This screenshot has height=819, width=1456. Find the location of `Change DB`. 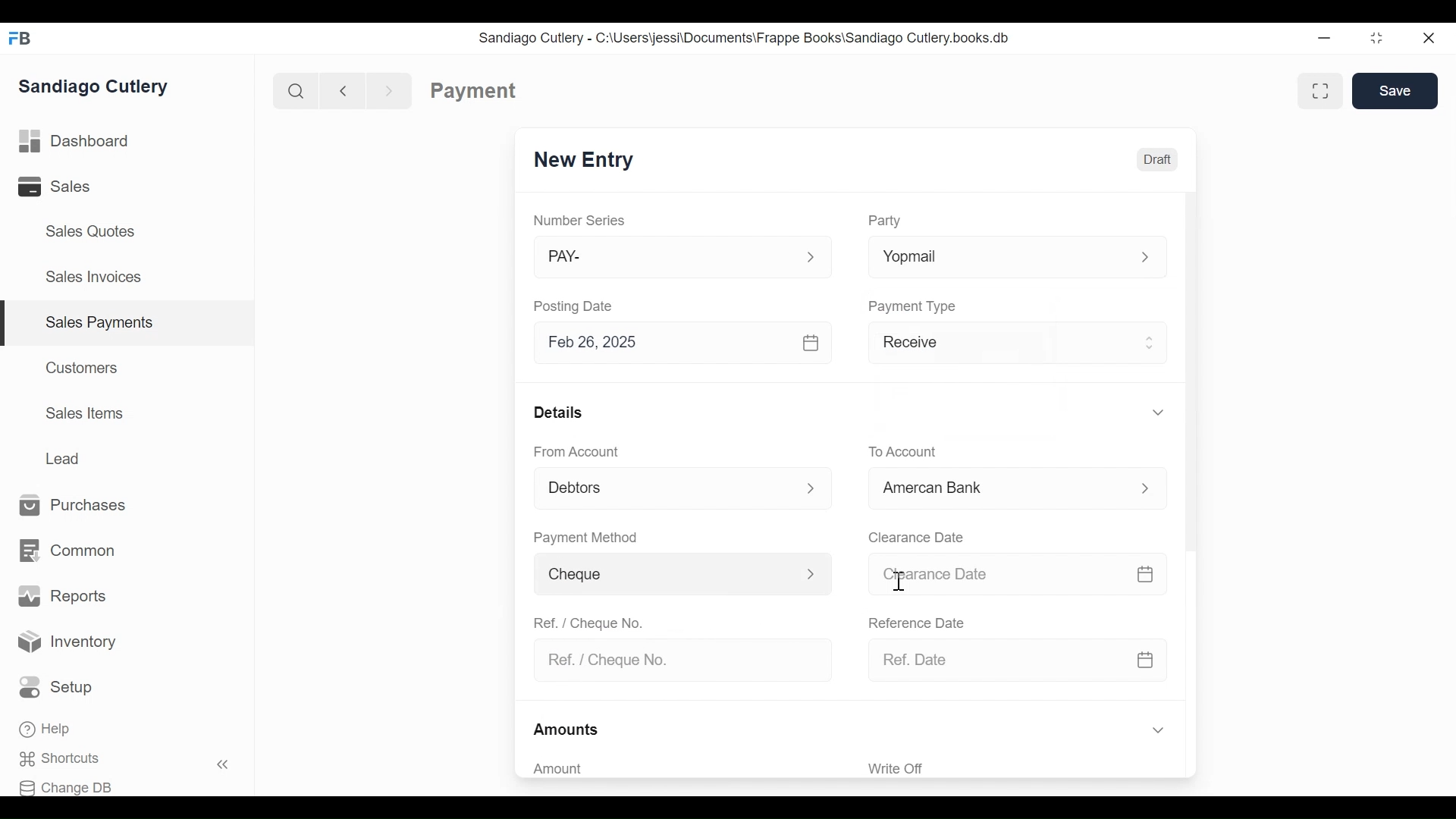

Change DB is located at coordinates (71, 786).